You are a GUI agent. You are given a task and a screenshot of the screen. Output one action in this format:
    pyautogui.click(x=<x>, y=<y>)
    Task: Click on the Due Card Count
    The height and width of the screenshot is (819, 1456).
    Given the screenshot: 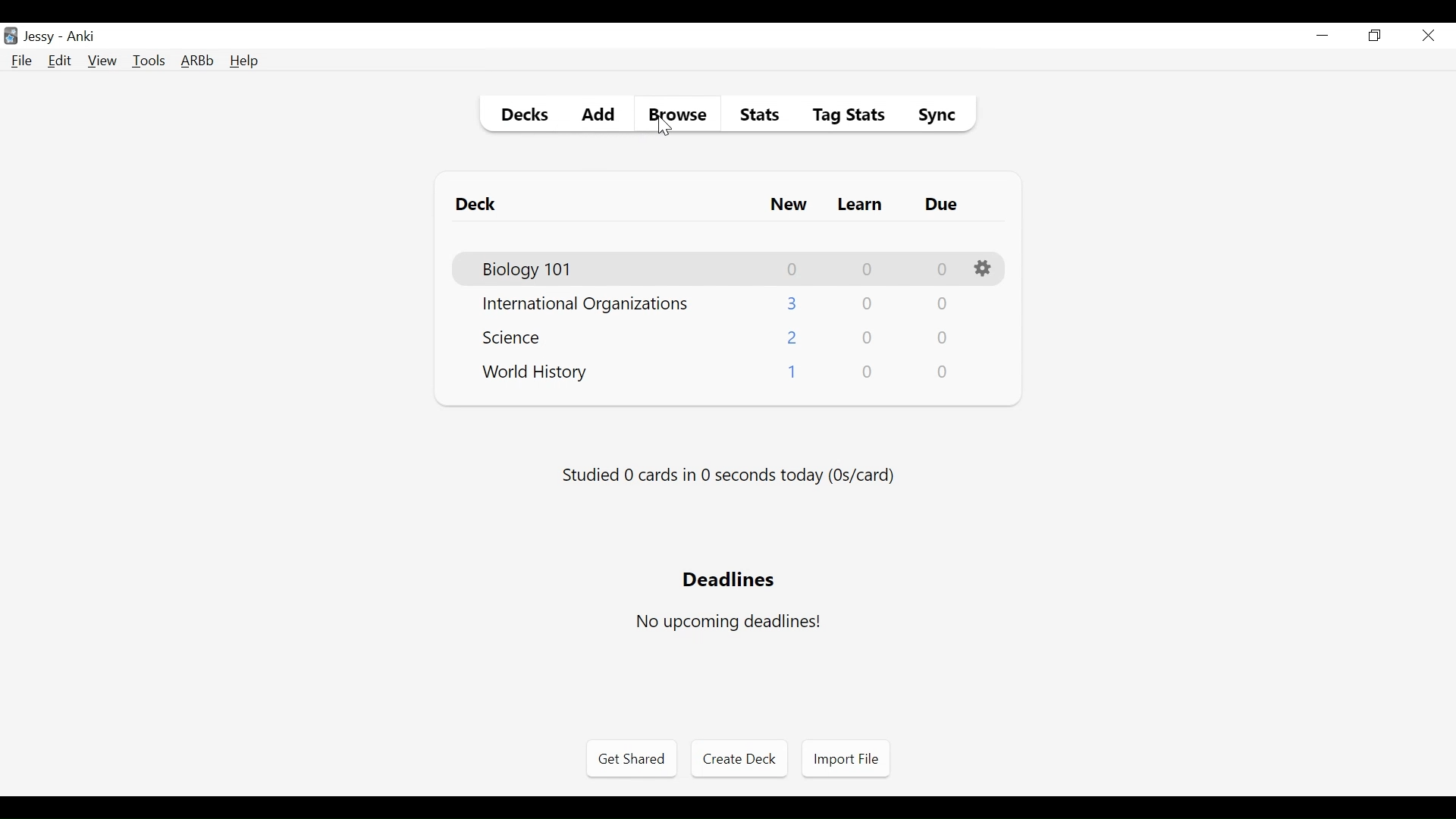 What is the action you would take?
    pyautogui.click(x=943, y=339)
    